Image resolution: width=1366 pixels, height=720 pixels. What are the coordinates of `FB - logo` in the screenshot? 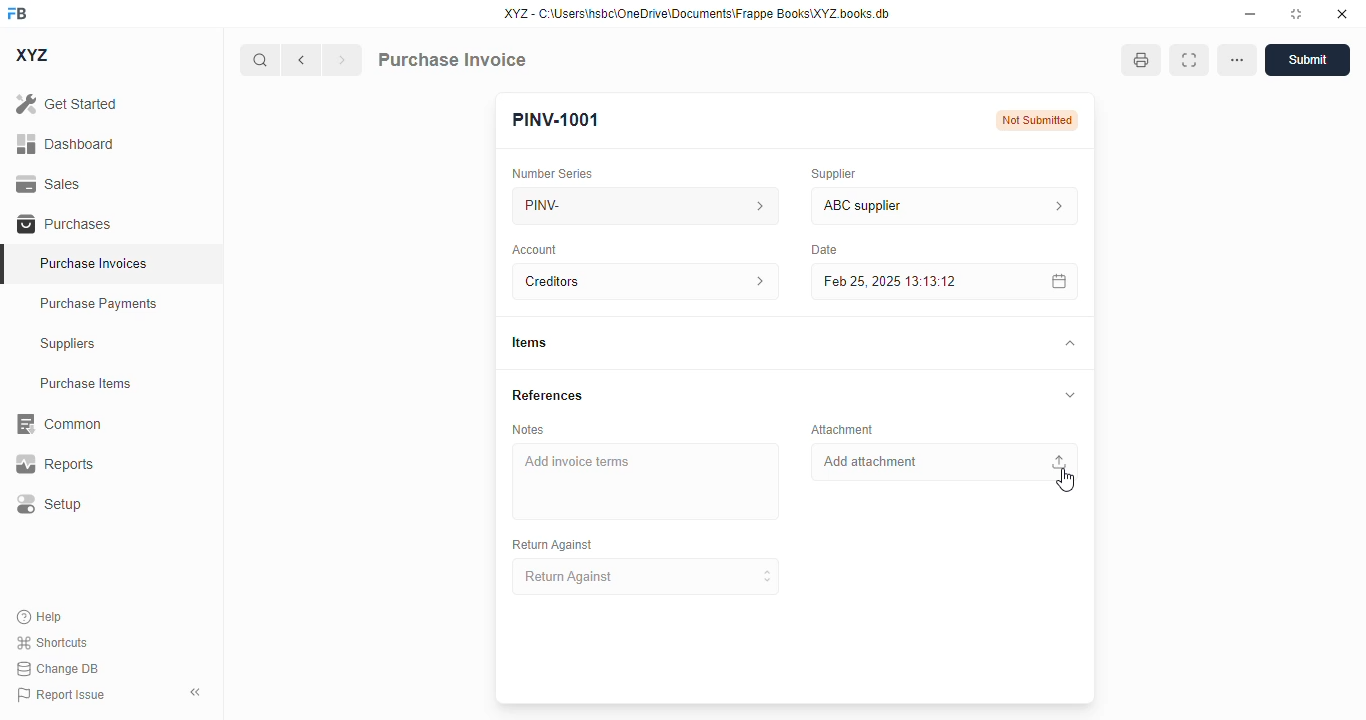 It's located at (17, 13).